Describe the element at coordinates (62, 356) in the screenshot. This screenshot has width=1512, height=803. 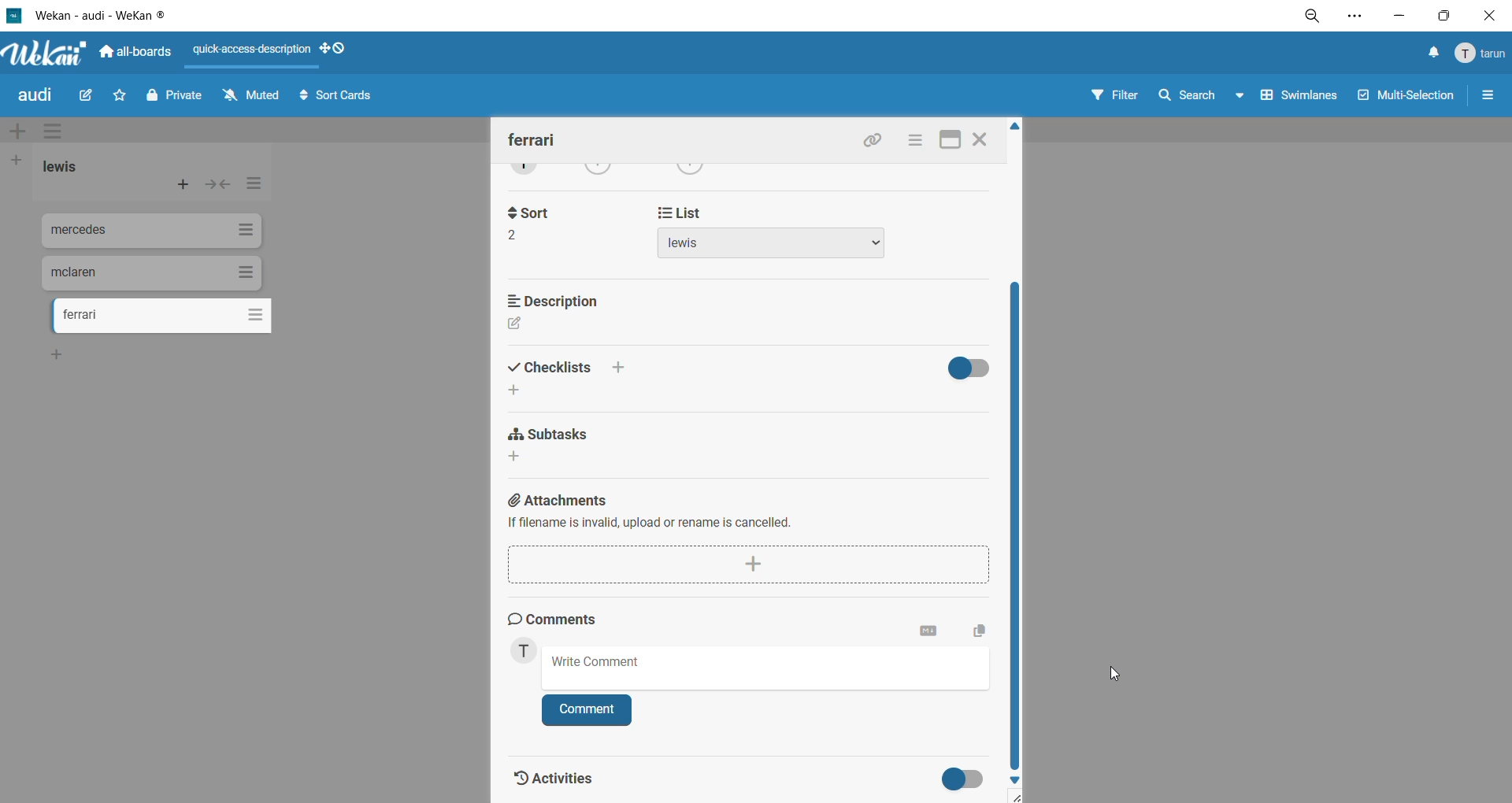
I see `add` at that location.